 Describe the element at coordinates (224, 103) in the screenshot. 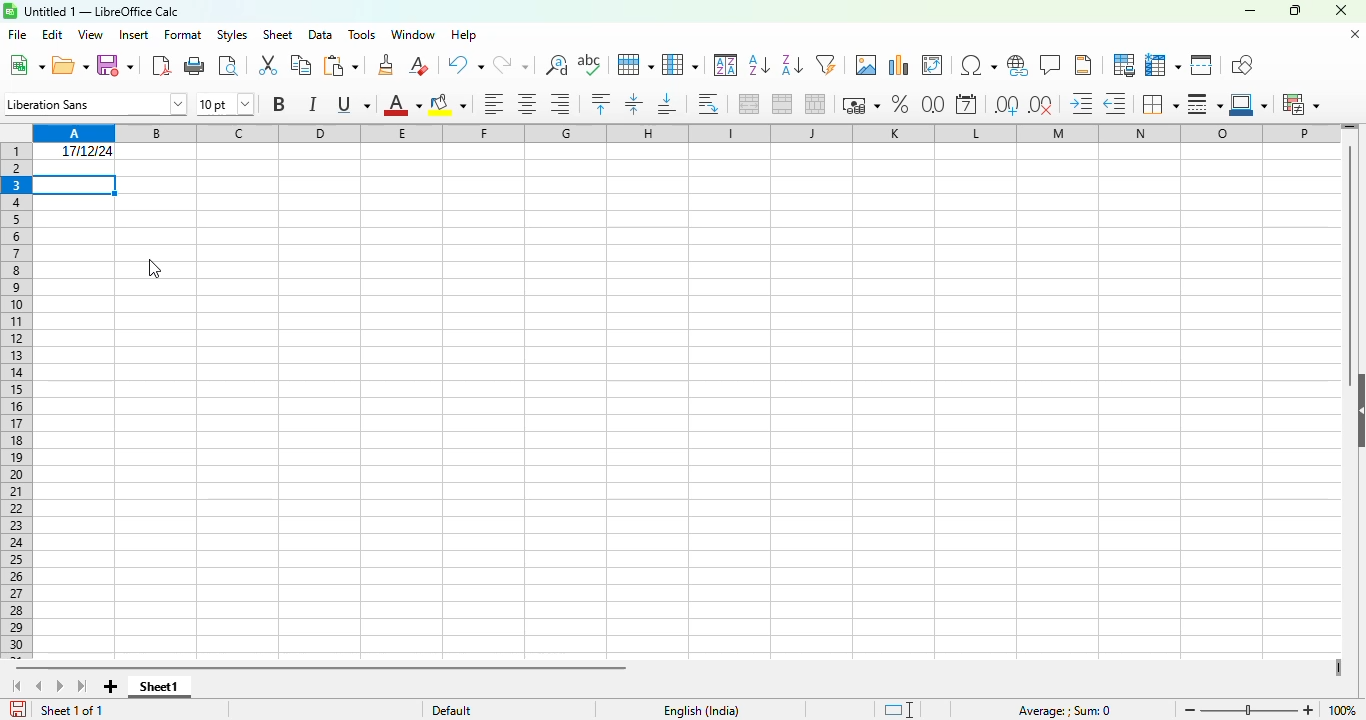

I see `font size` at that location.